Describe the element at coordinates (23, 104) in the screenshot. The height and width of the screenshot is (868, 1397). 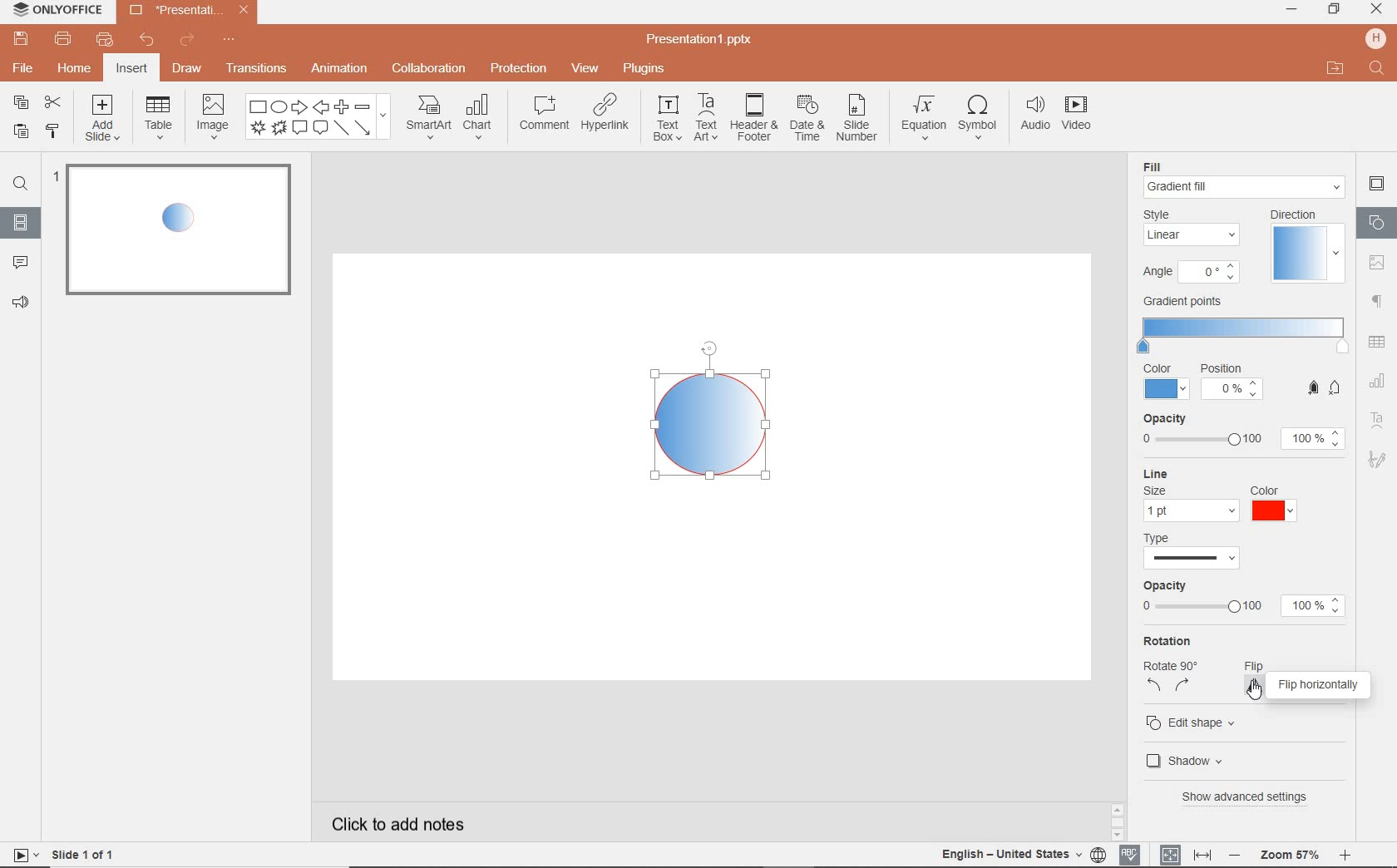
I see `copy` at that location.